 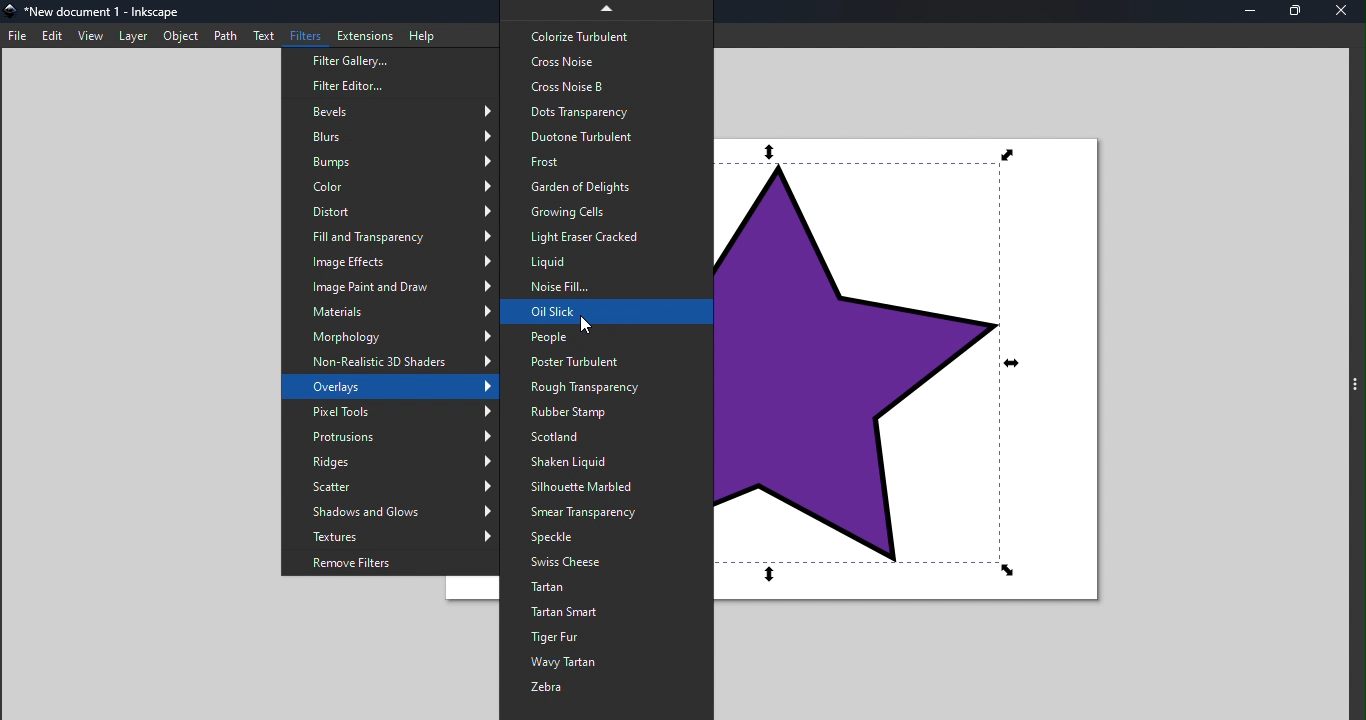 What do you see at coordinates (604, 261) in the screenshot?
I see `Liquid` at bounding box center [604, 261].